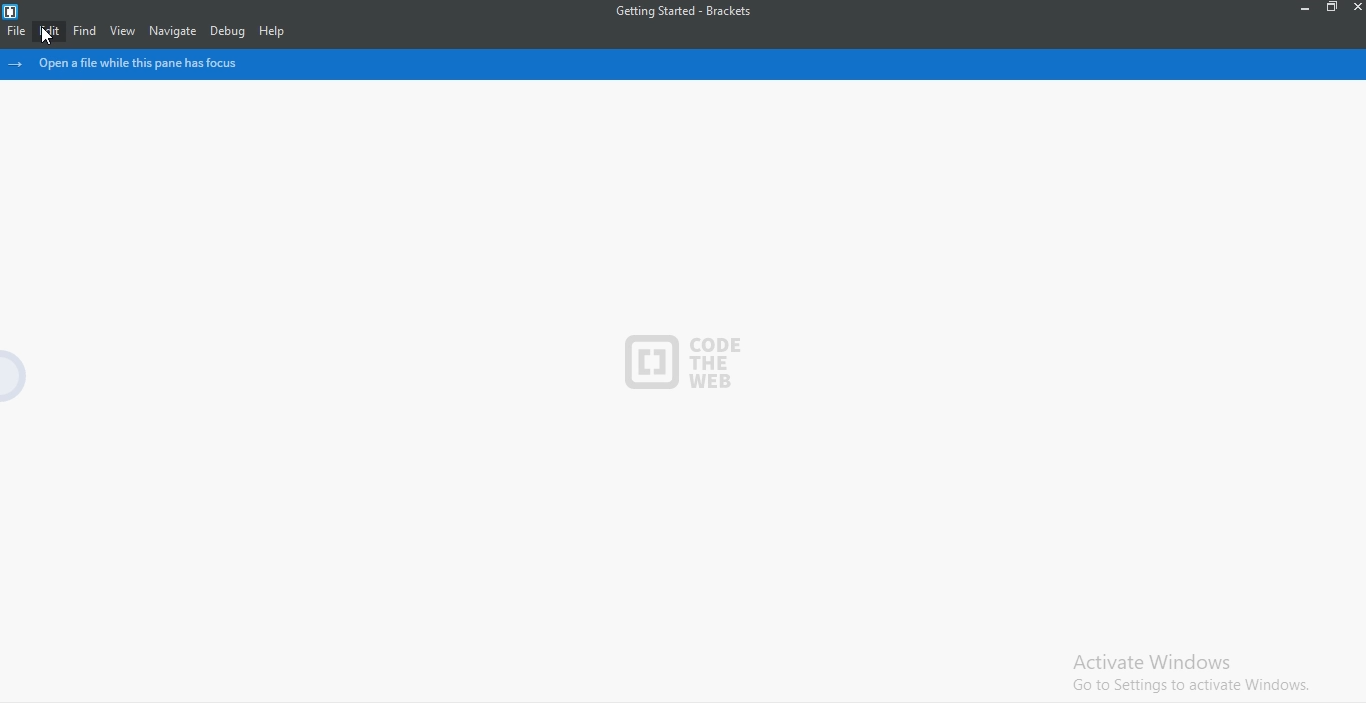  I want to click on hide menu, so click(17, 375).